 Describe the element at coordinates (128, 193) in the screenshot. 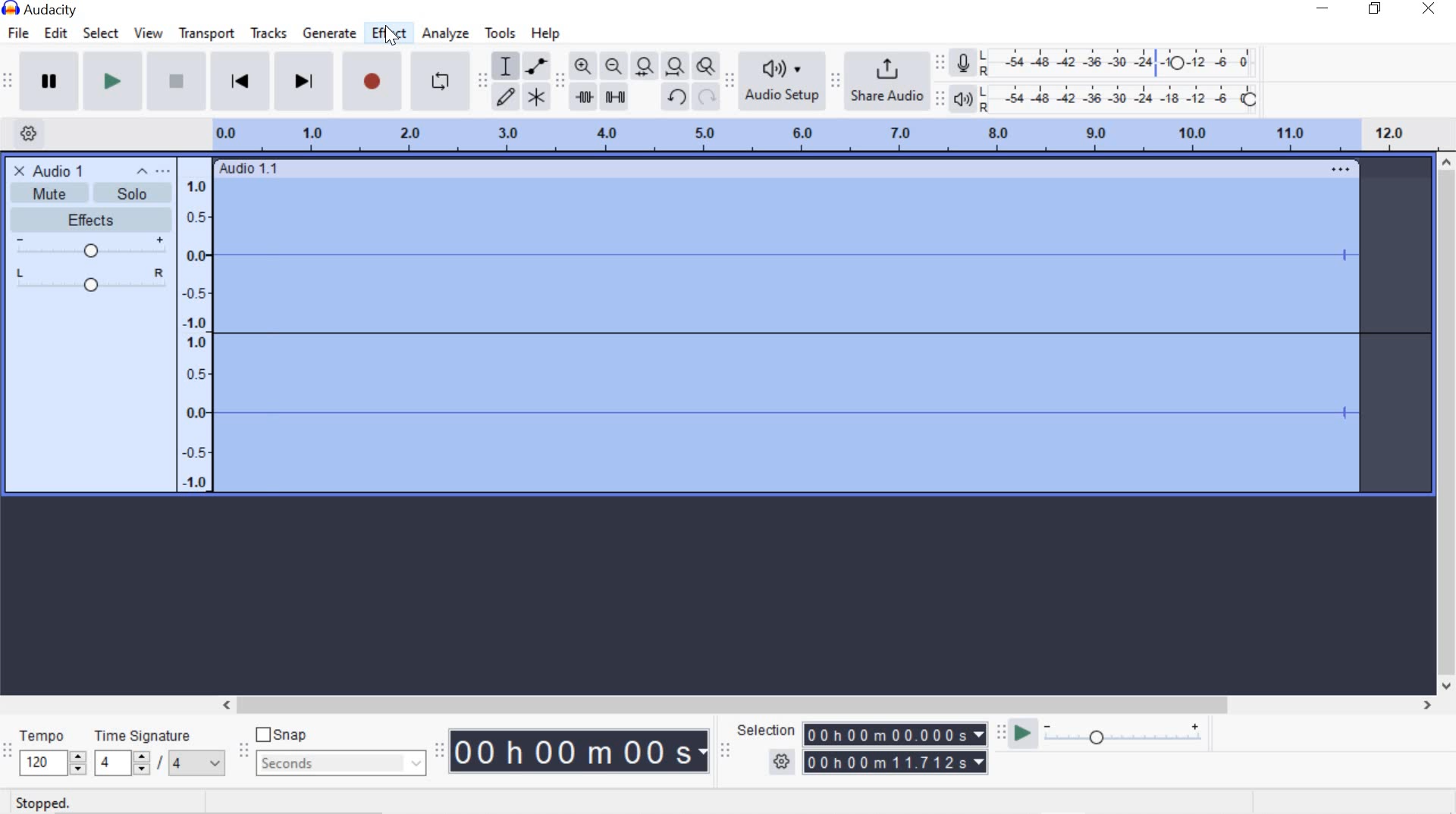

I see `SOLO` at that location.